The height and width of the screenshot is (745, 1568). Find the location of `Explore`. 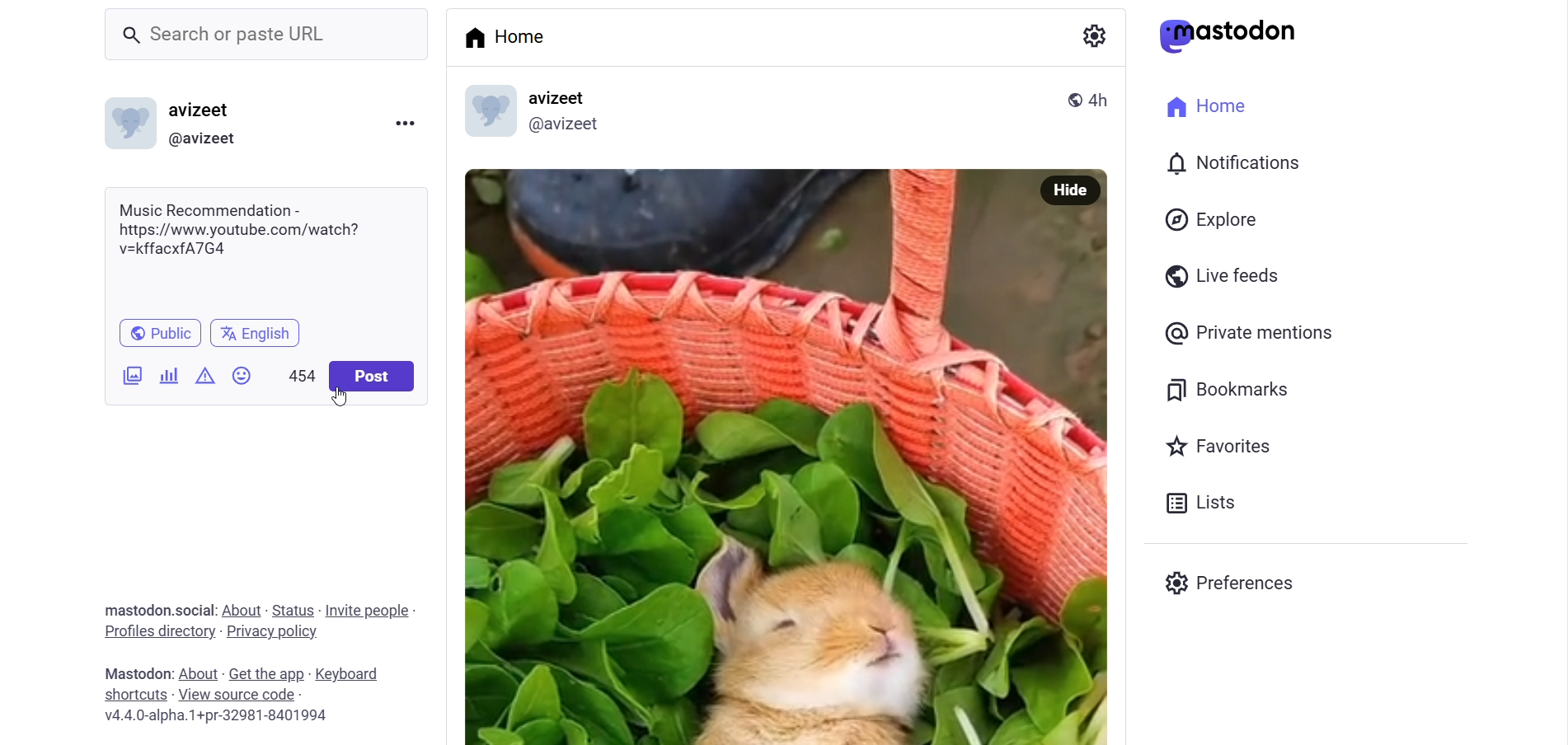

Explore is located at coordinates (1212, 218).